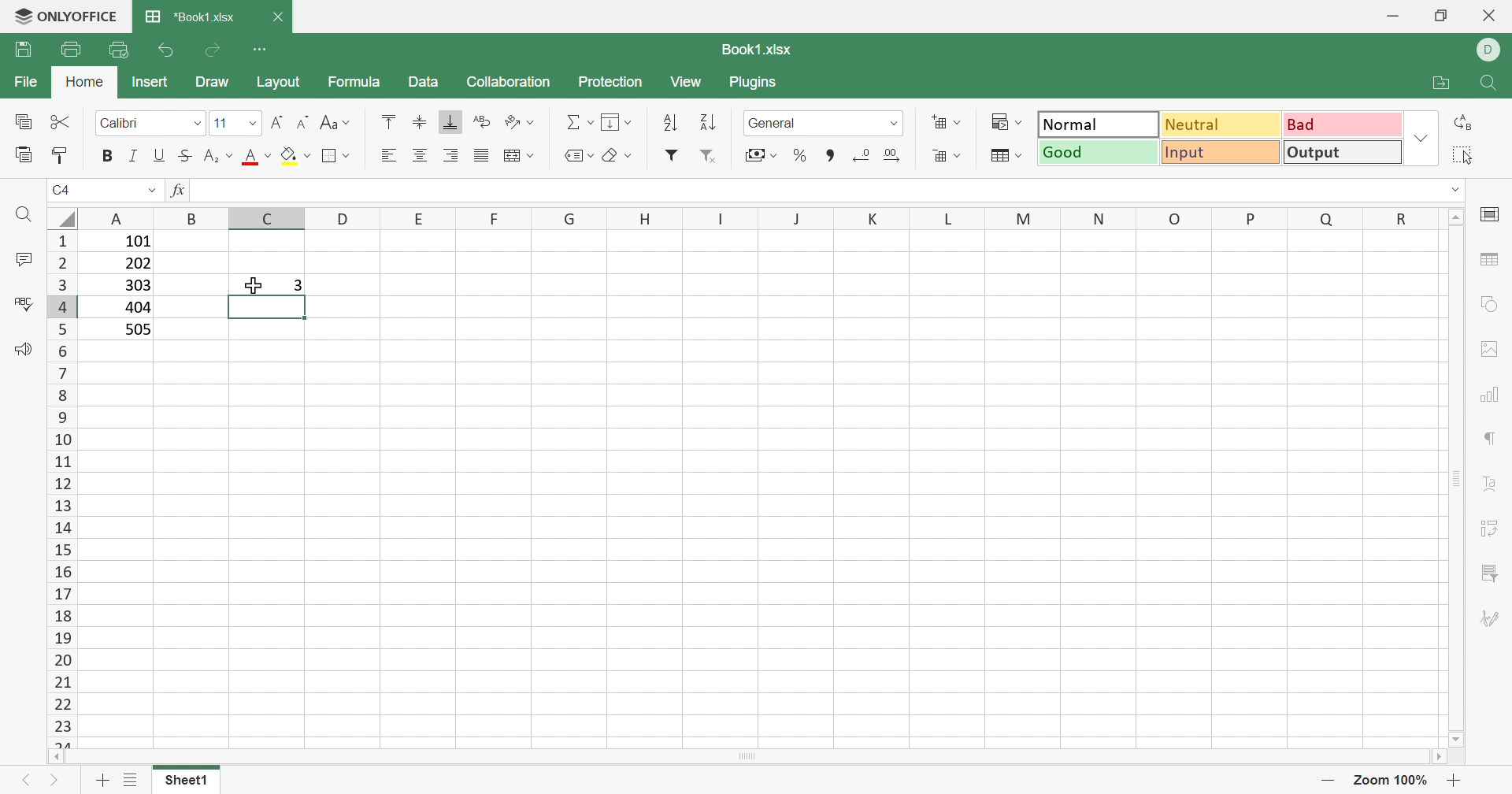  Describe the element at coordinates (135, 242) in the screenshot. I see `101` at that location.